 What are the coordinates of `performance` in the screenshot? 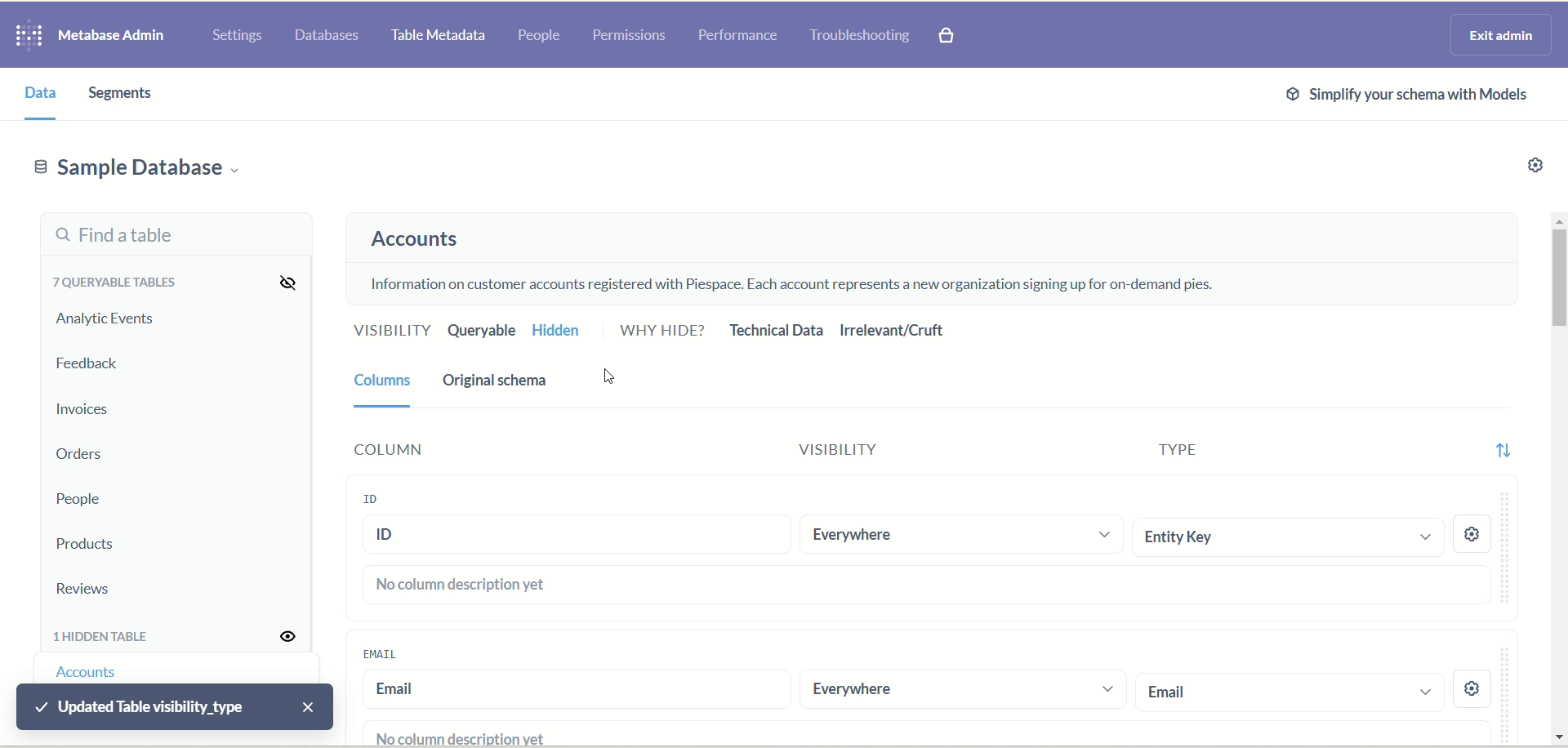 It's located at (737, 38).